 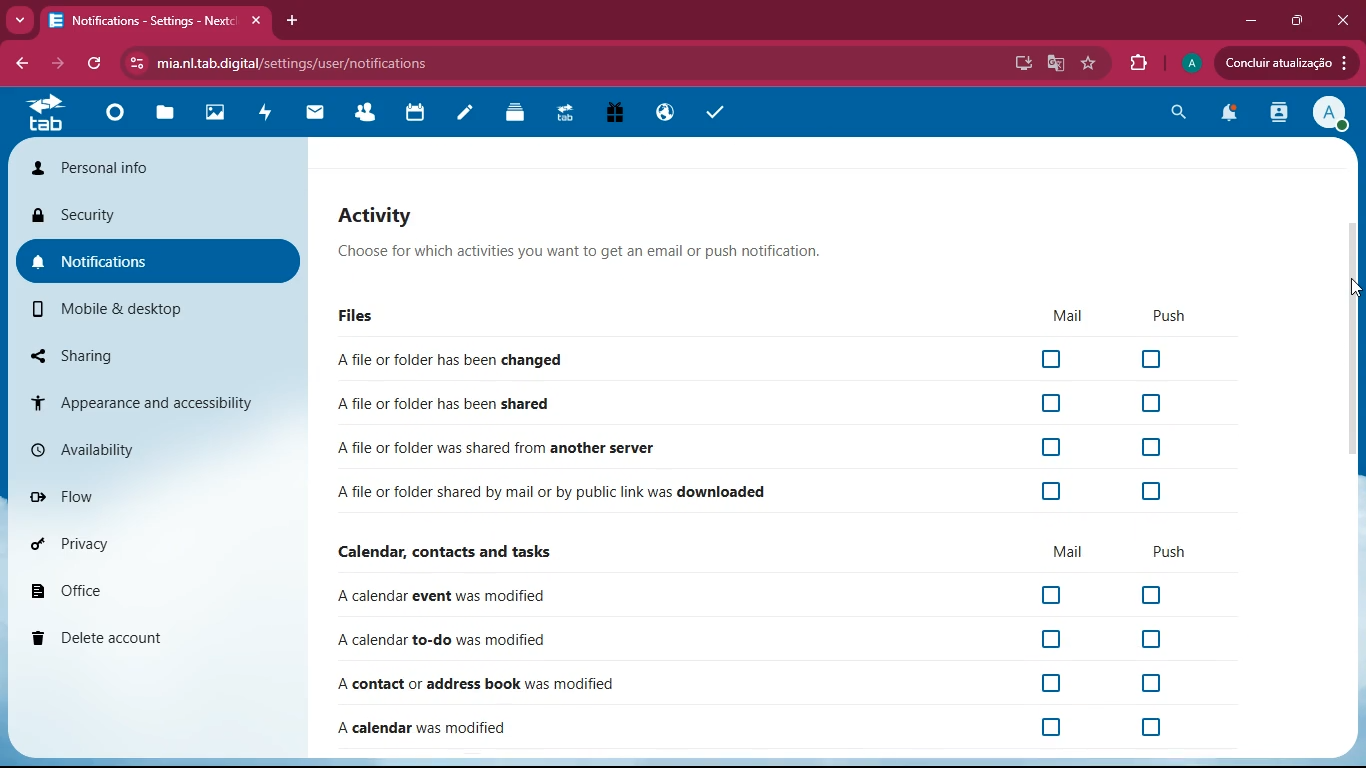 What do you see at coordinates (219, 114) in the screenshot?
I see `images` at bounding box center [219, 114].